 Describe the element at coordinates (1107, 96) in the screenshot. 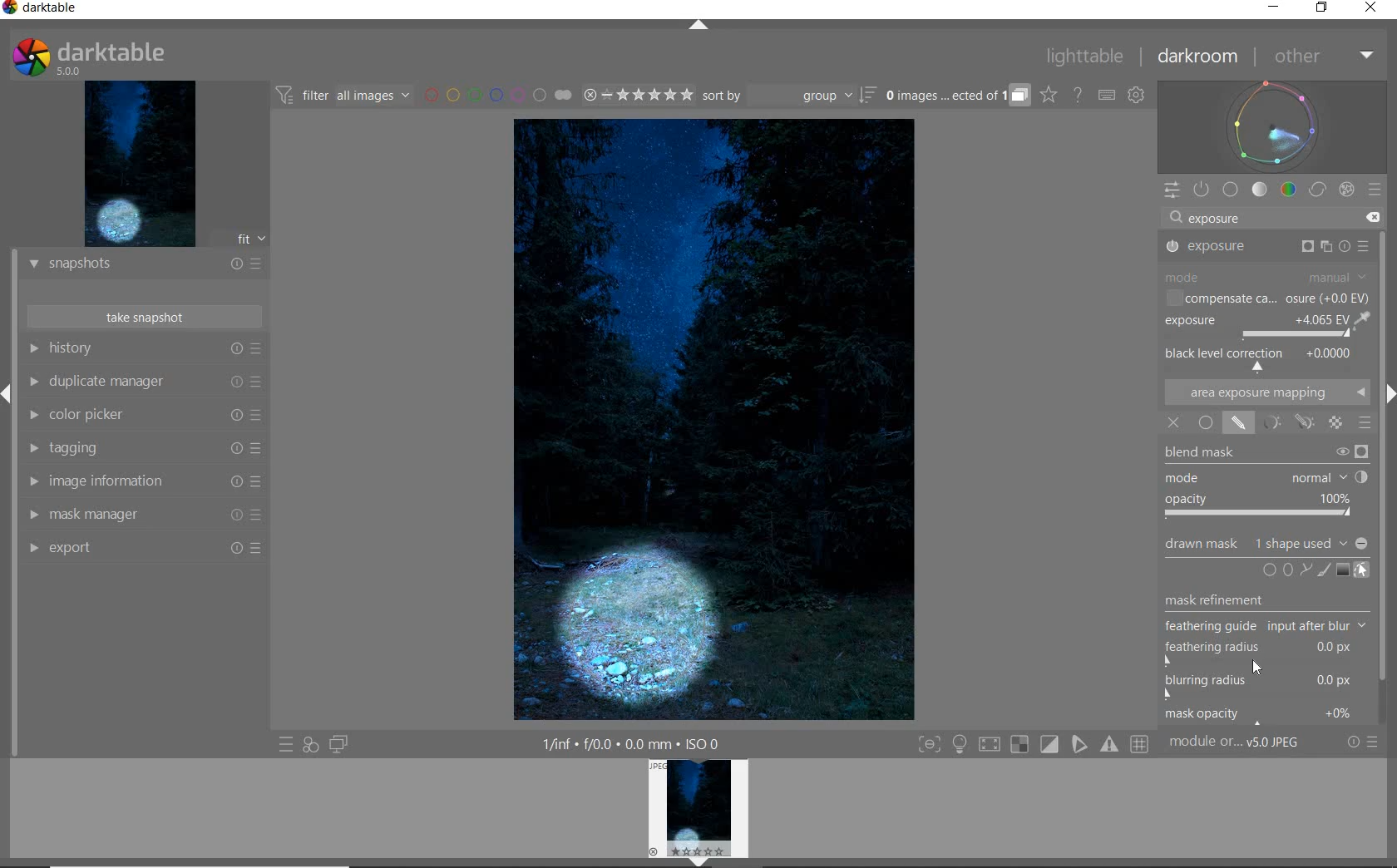

I see `SET KEYBOARD SHORTCUTS` at that location.